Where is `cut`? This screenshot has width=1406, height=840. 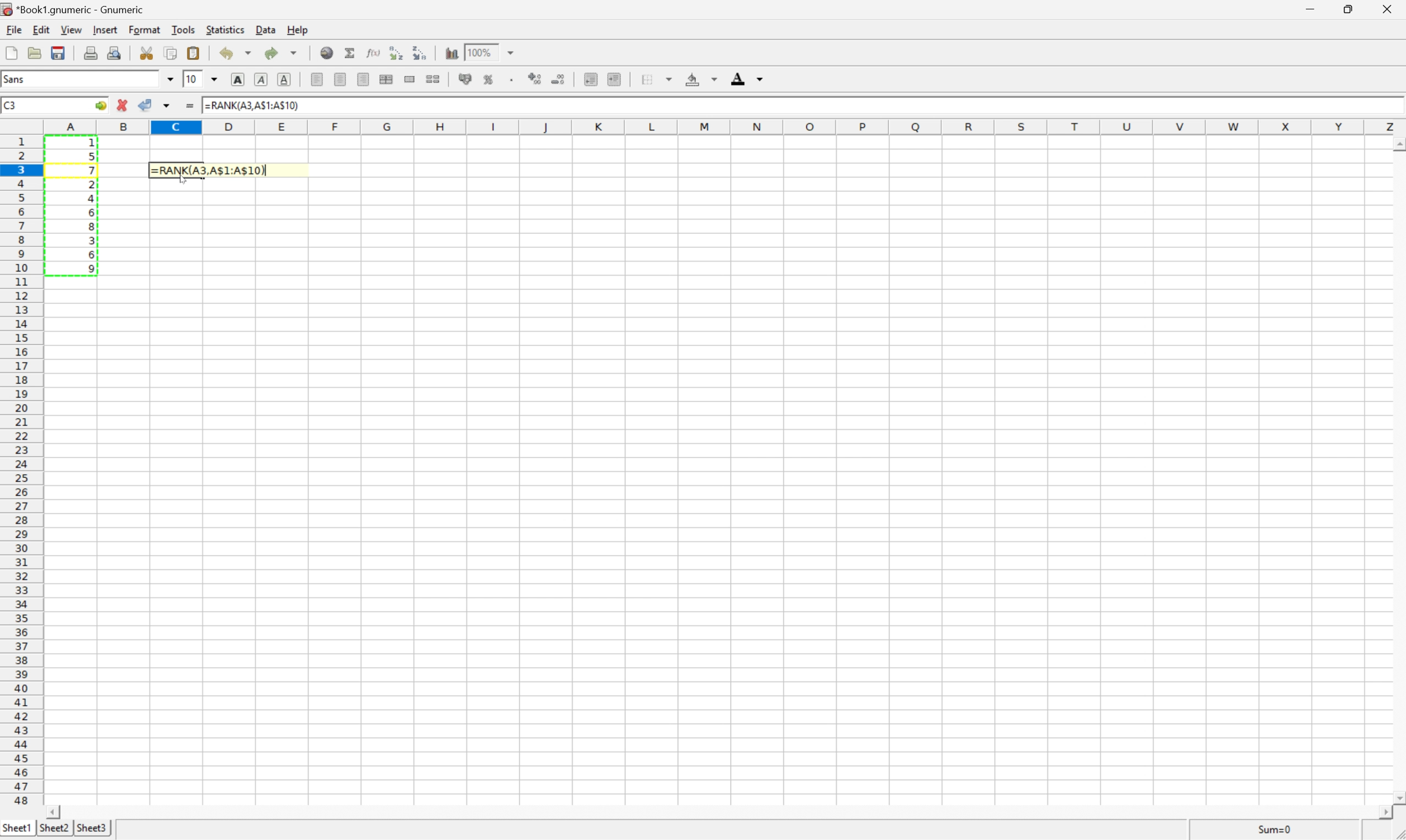 cut is located at coordinates (148, 53).